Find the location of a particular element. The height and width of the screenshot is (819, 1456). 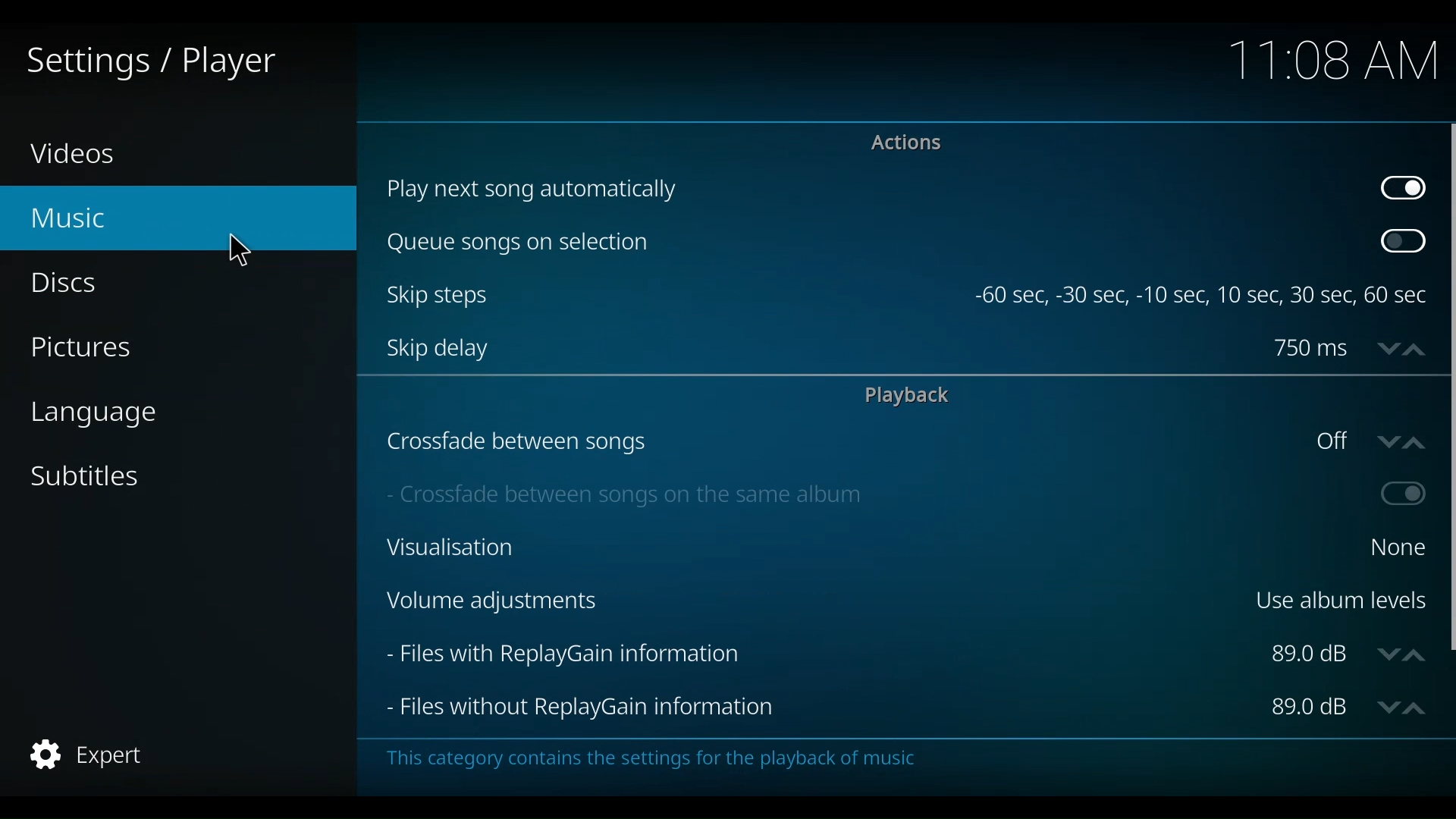

Cursor is located at coordinates (242, 251).